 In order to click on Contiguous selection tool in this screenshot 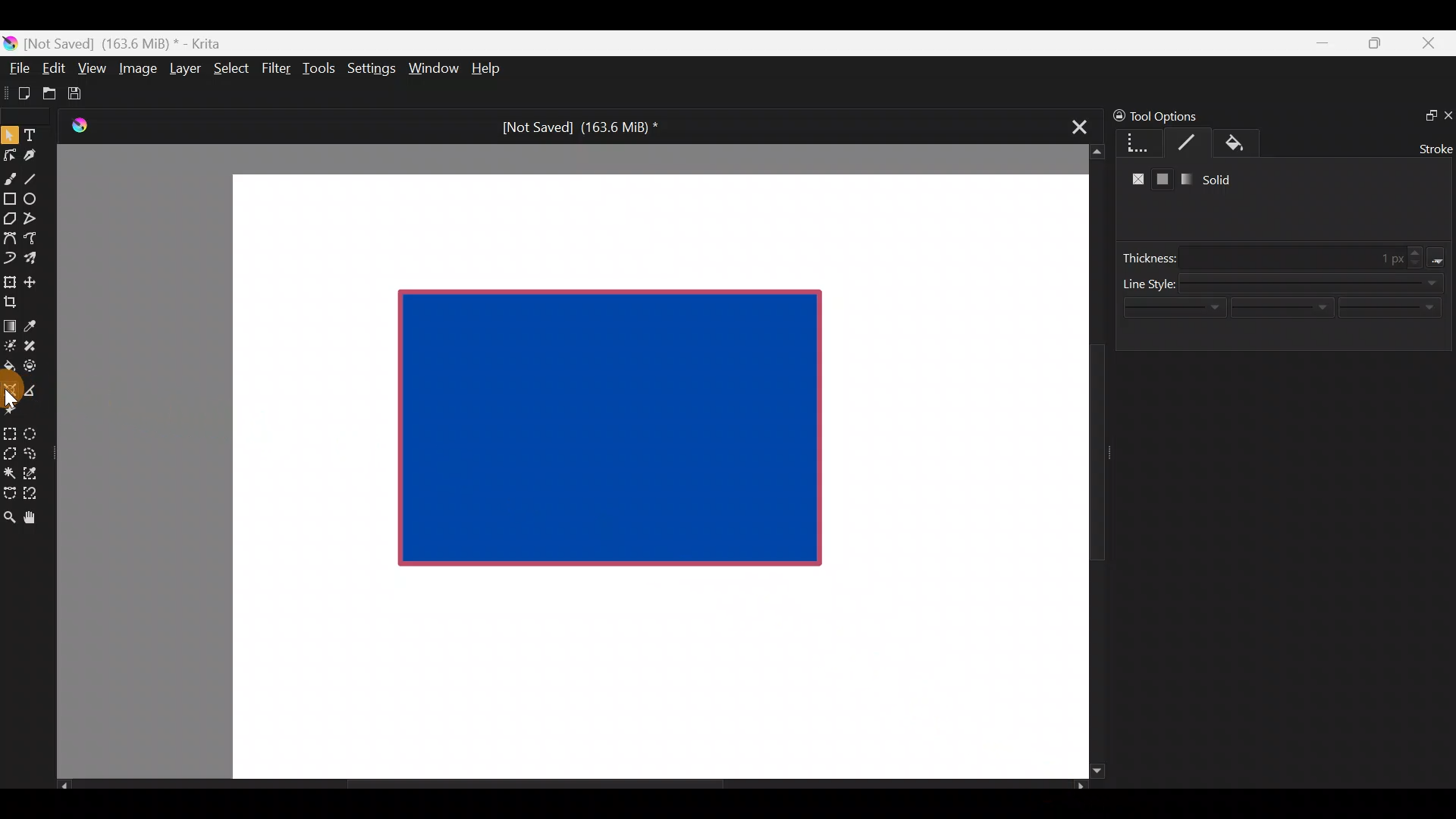, I will do `click(9, 469)`.